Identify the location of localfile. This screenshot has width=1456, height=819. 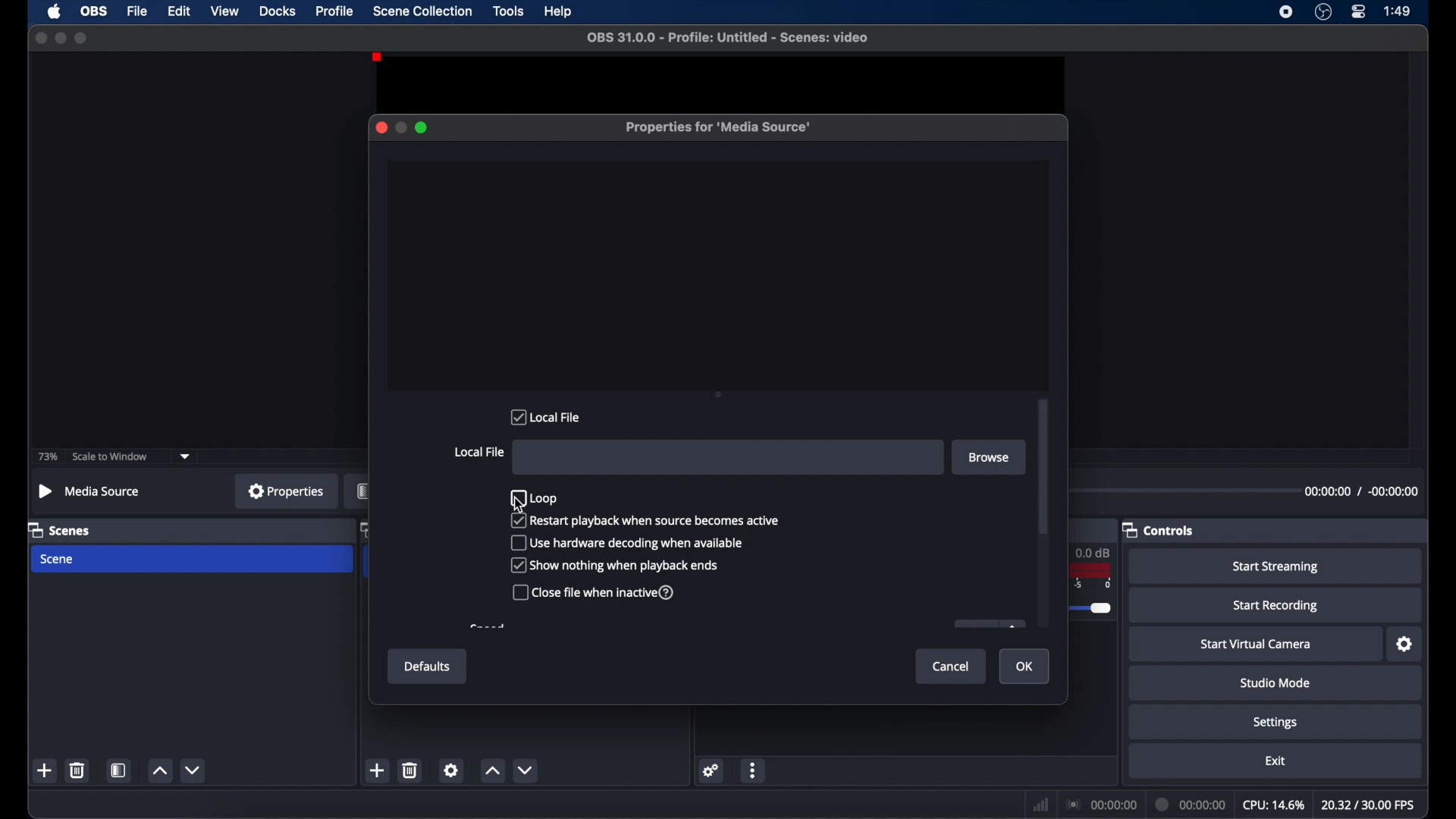
(547, 416).